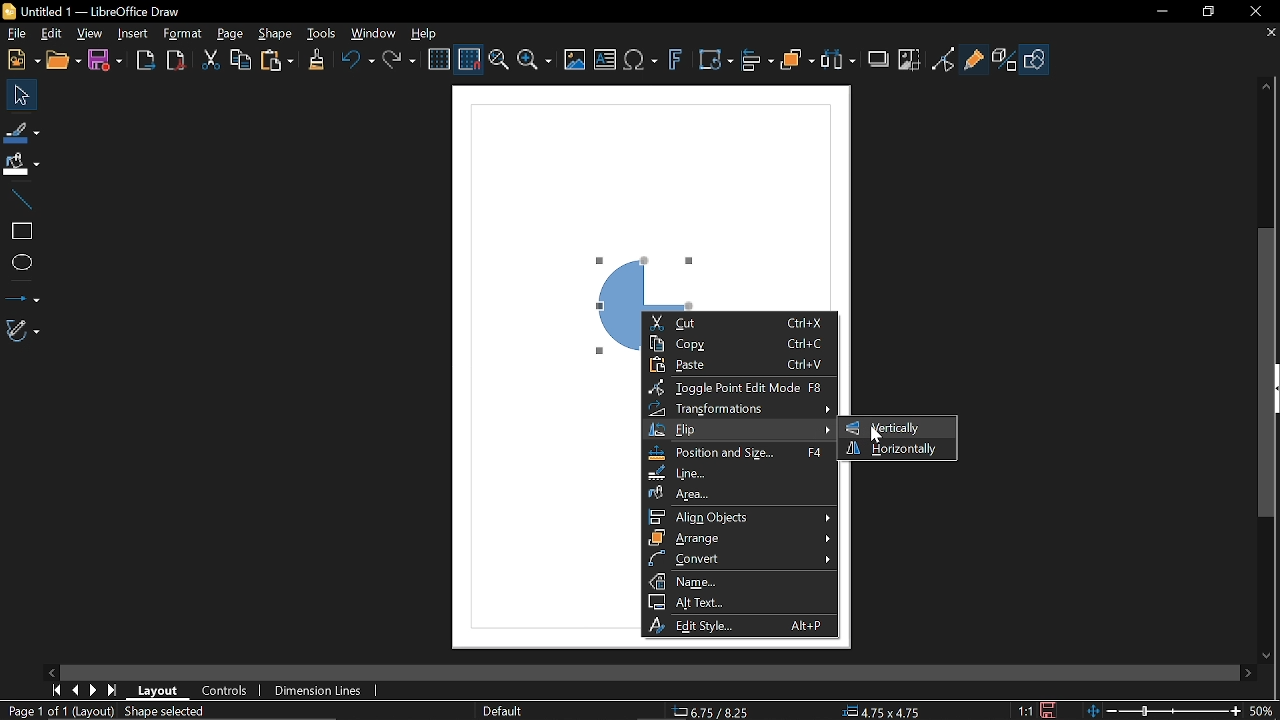 The height and width of the screenshot is (720, 1280). Describe the element at coordinates (21, 59) in the screenshot. I see `New` at that location.